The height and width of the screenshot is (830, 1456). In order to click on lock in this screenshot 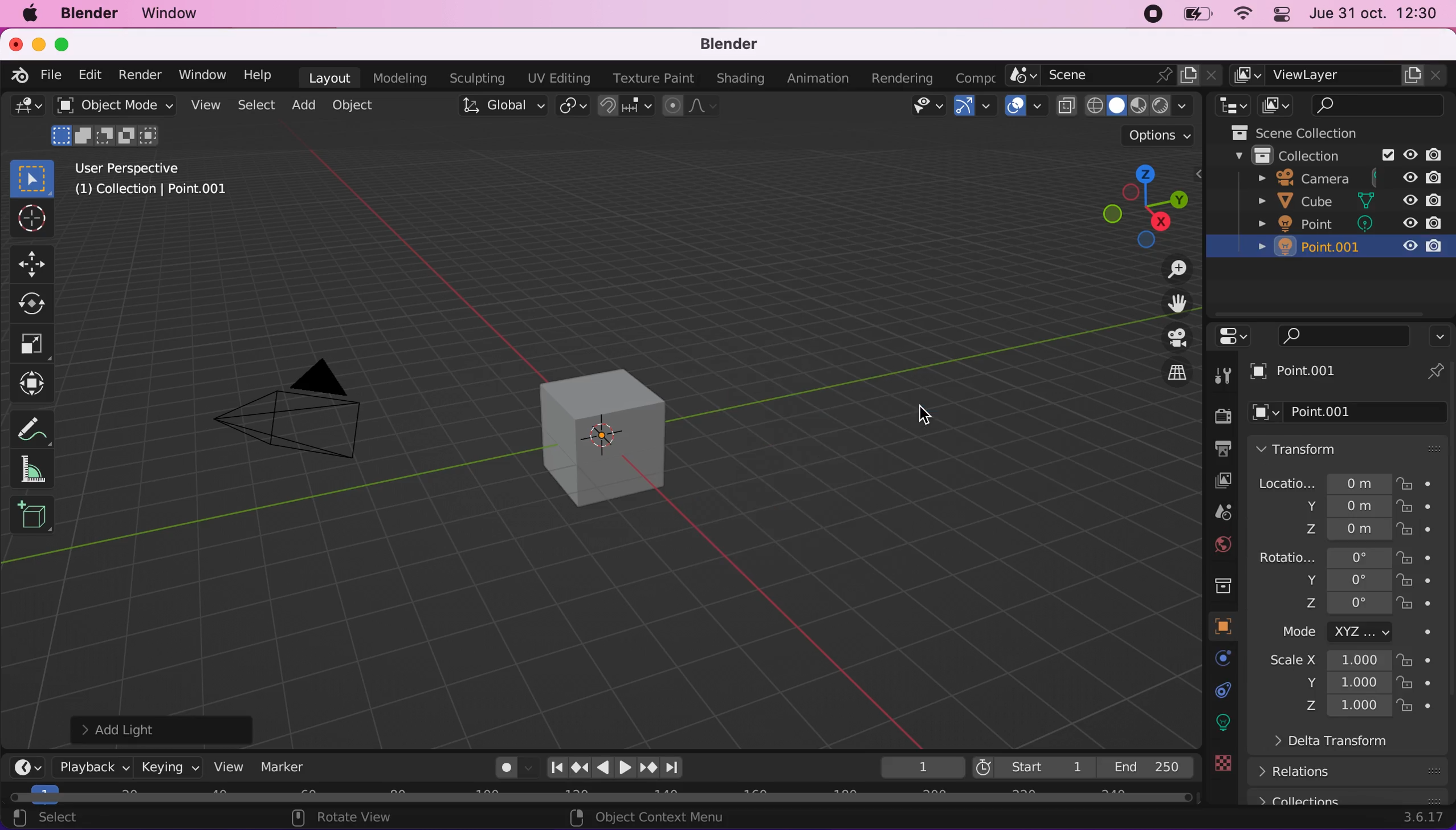, I will do `click(1417, 603)`.